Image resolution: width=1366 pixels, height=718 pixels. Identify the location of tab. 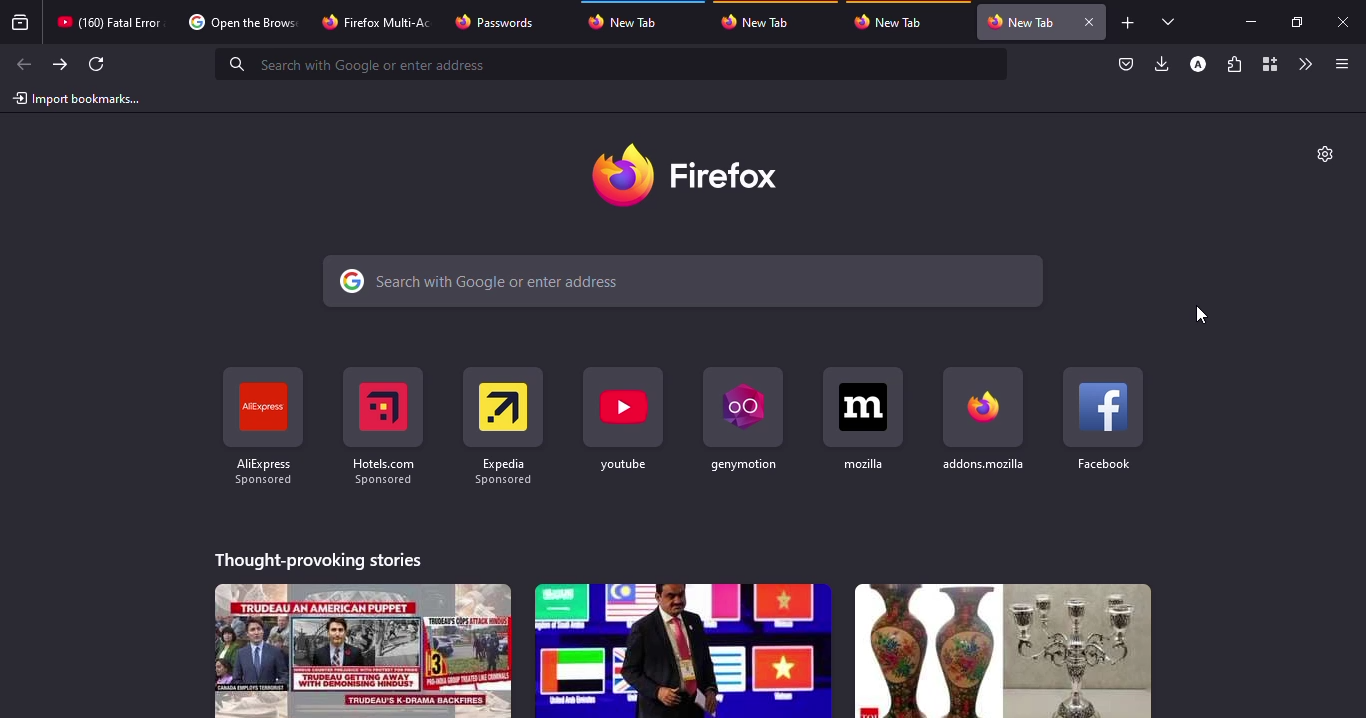
(106, 21).